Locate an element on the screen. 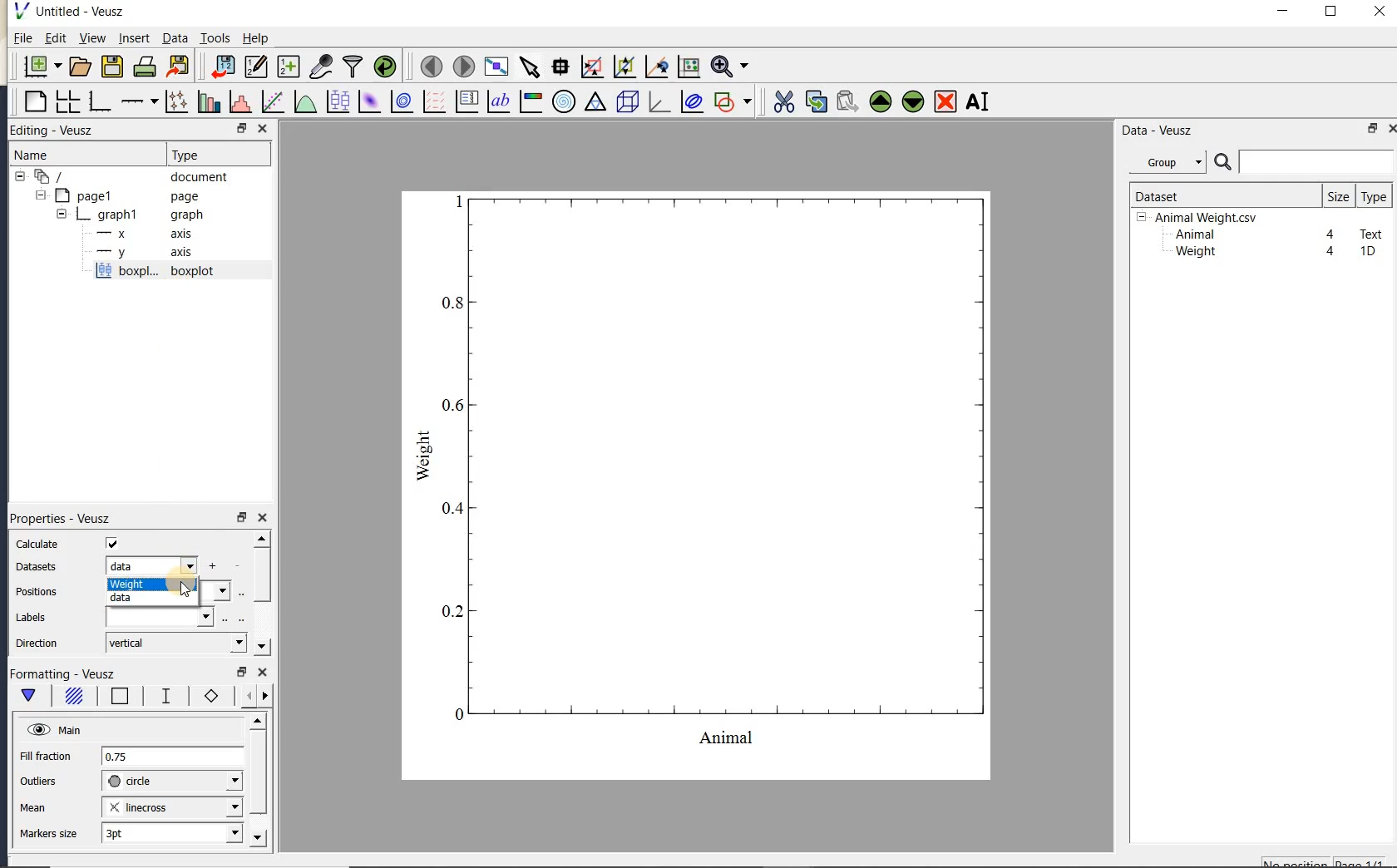 The image size is (1397, 868). page1 is located at coordinates (119, 197).